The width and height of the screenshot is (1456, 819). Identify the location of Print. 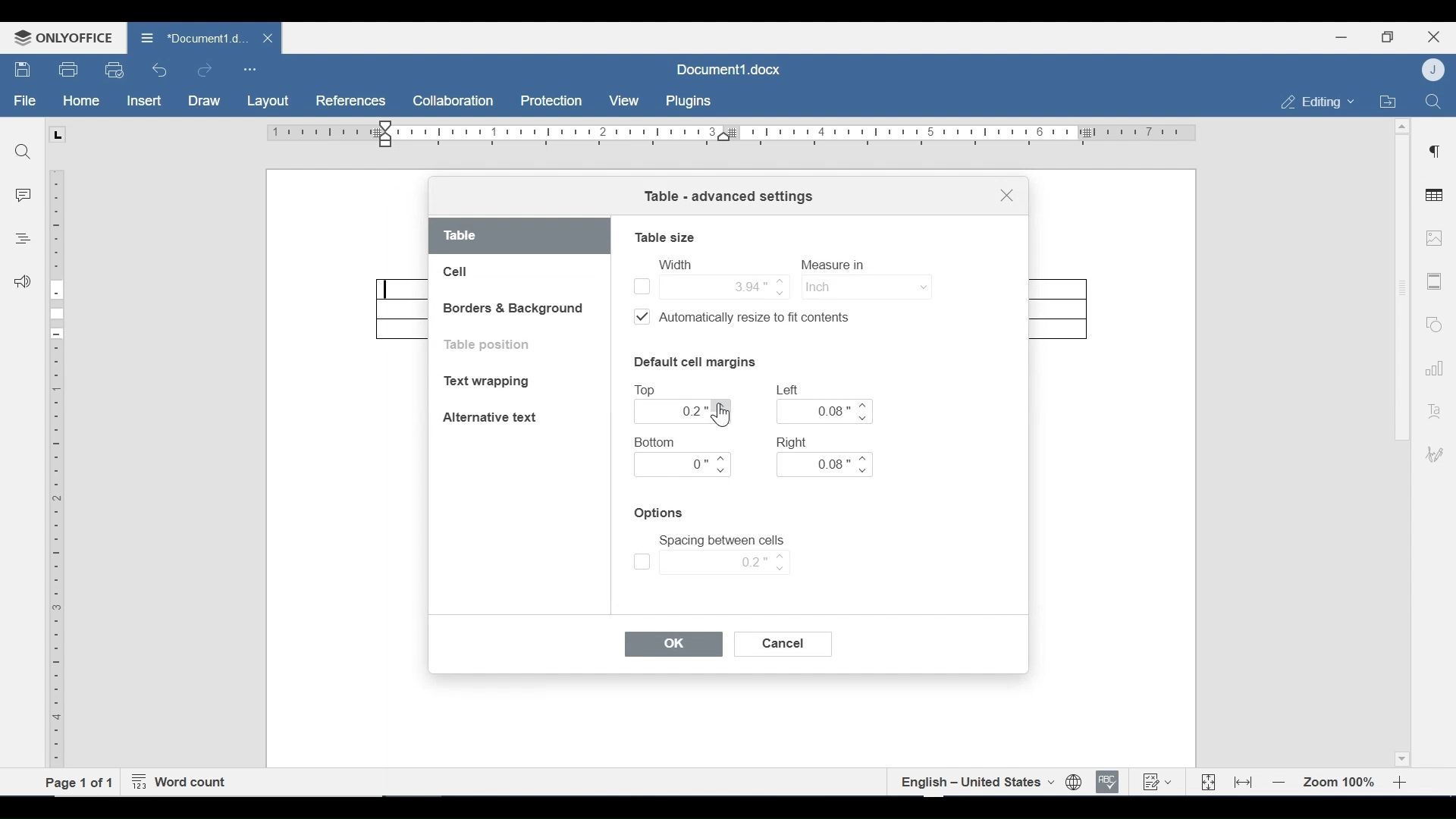
(69, 70).